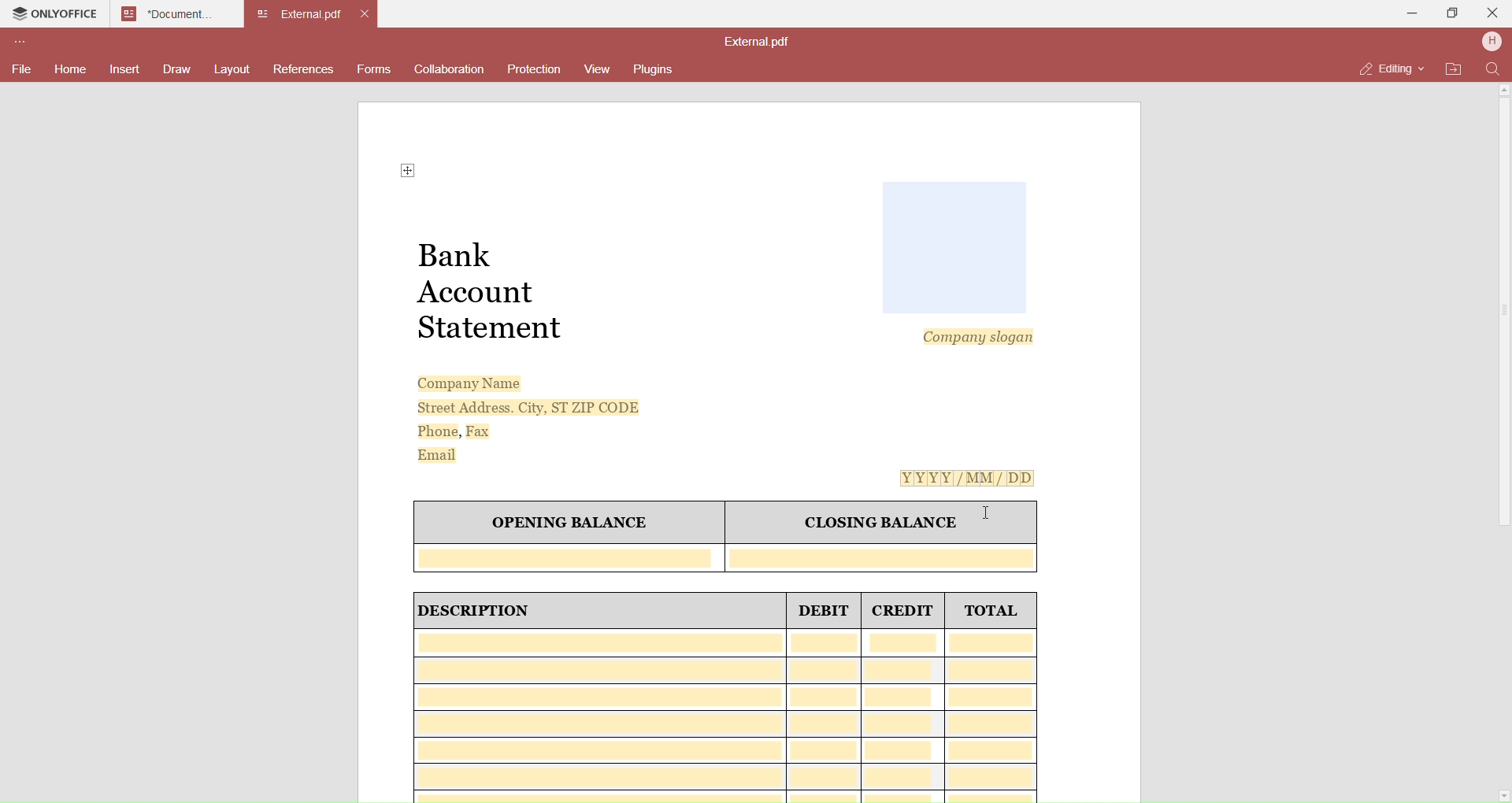  What do you see at coordinates (825, 612) in the screenshot?
I see `DEBIT` at bounding box center [825, 612].